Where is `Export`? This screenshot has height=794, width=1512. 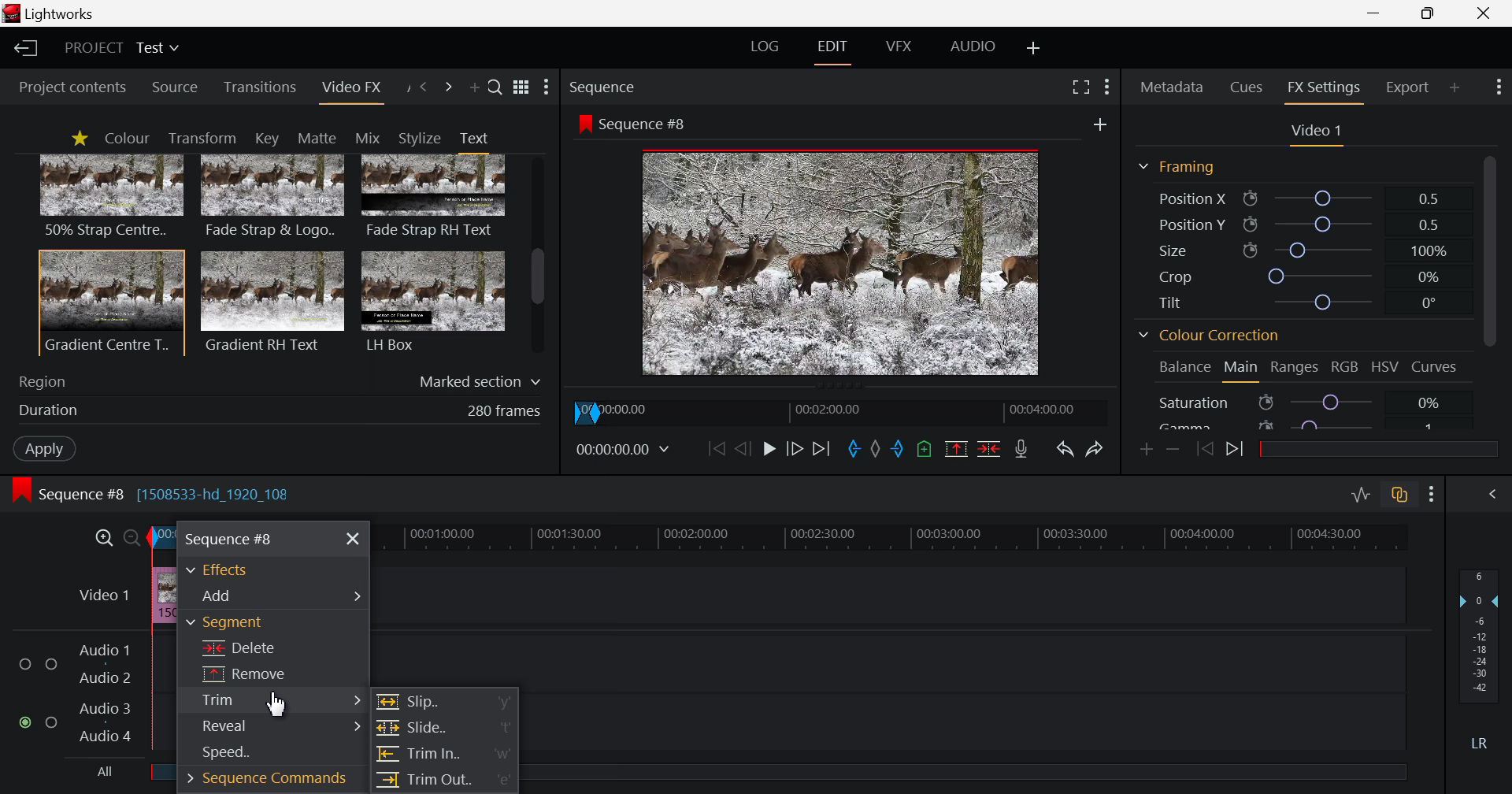 Export is located at coordinates (1408, 85).